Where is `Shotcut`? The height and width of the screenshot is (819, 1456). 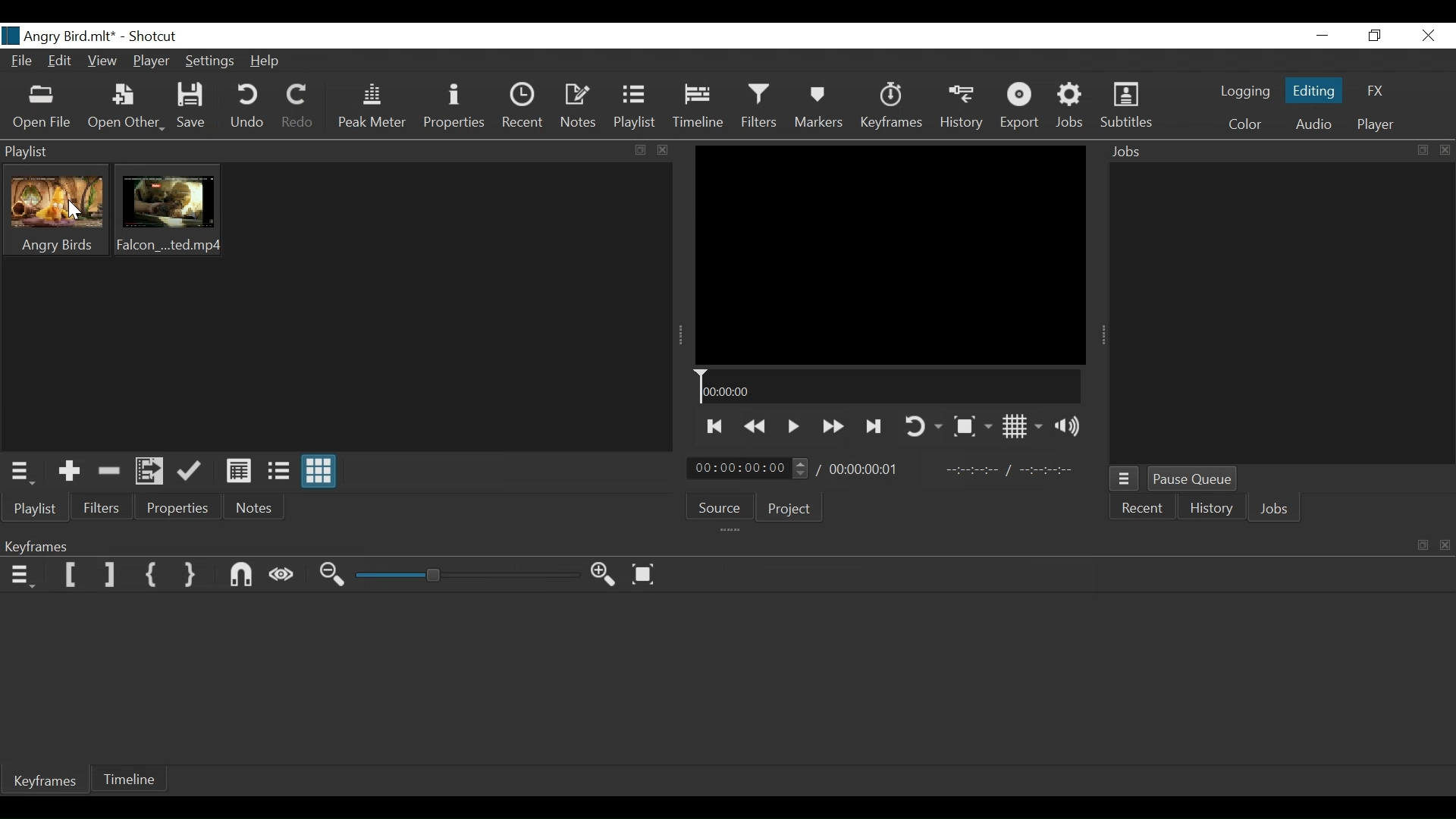
Shotcut is located at coordinates (156, 37).